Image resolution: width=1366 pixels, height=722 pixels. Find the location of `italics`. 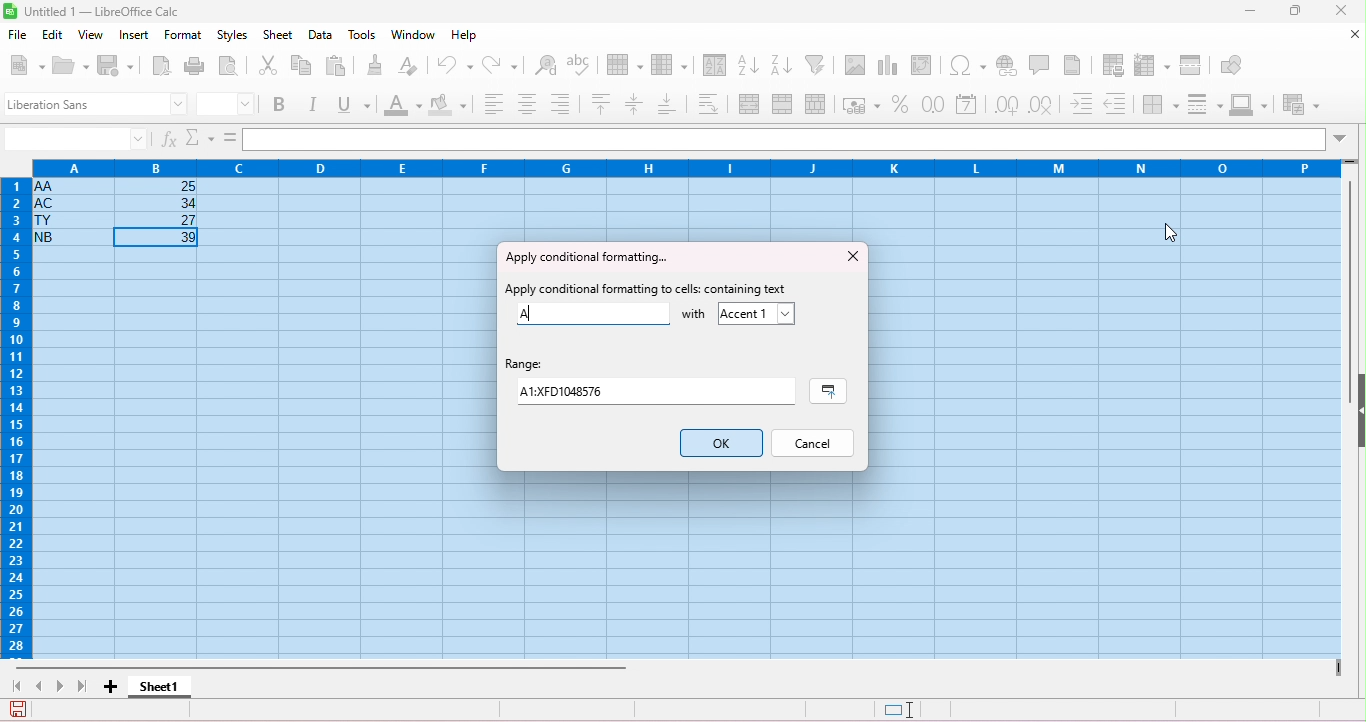

italics is located at coordinates (315, 105).